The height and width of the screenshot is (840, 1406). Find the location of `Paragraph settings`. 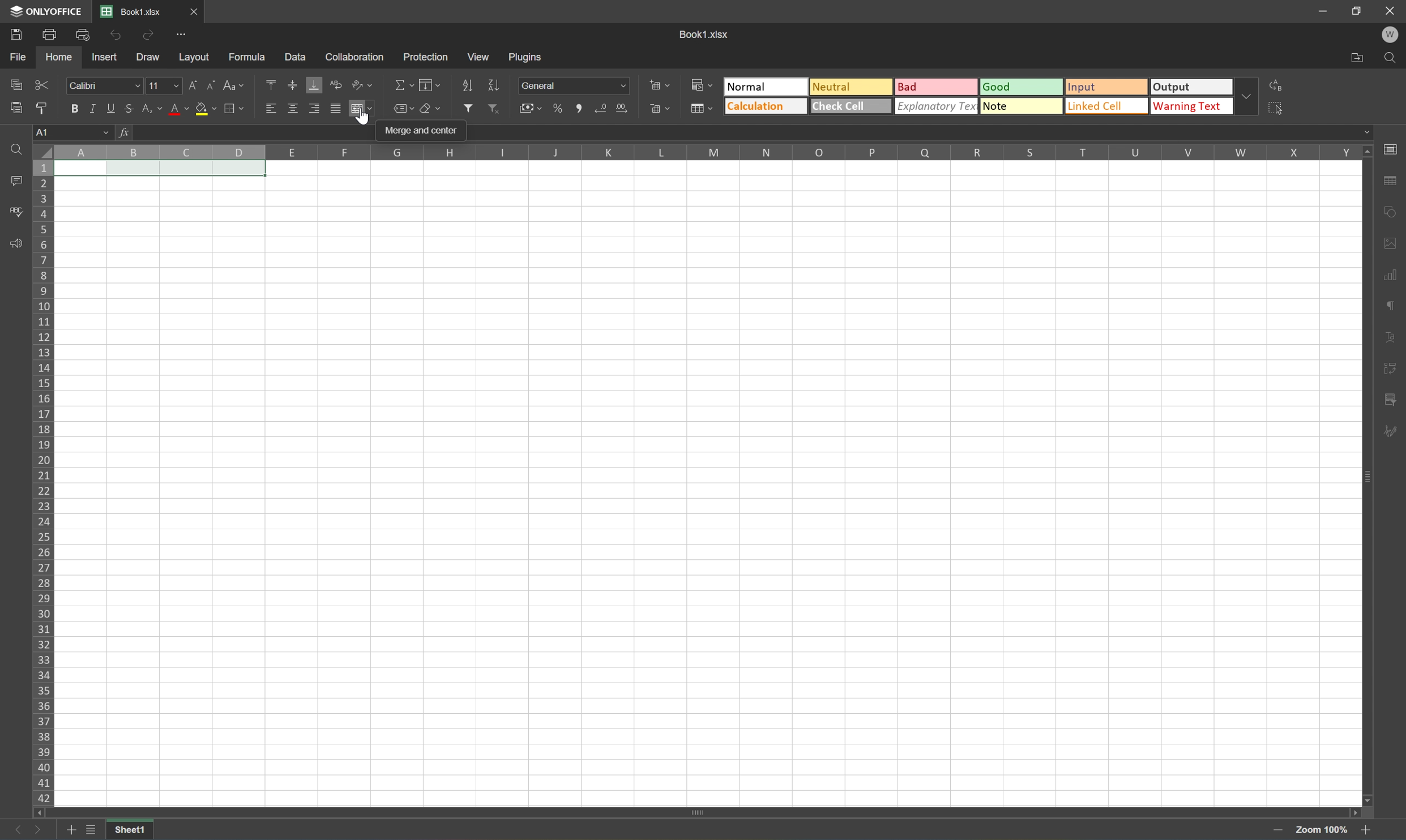

Paragraph settings is located at coordinates (1388, 306).